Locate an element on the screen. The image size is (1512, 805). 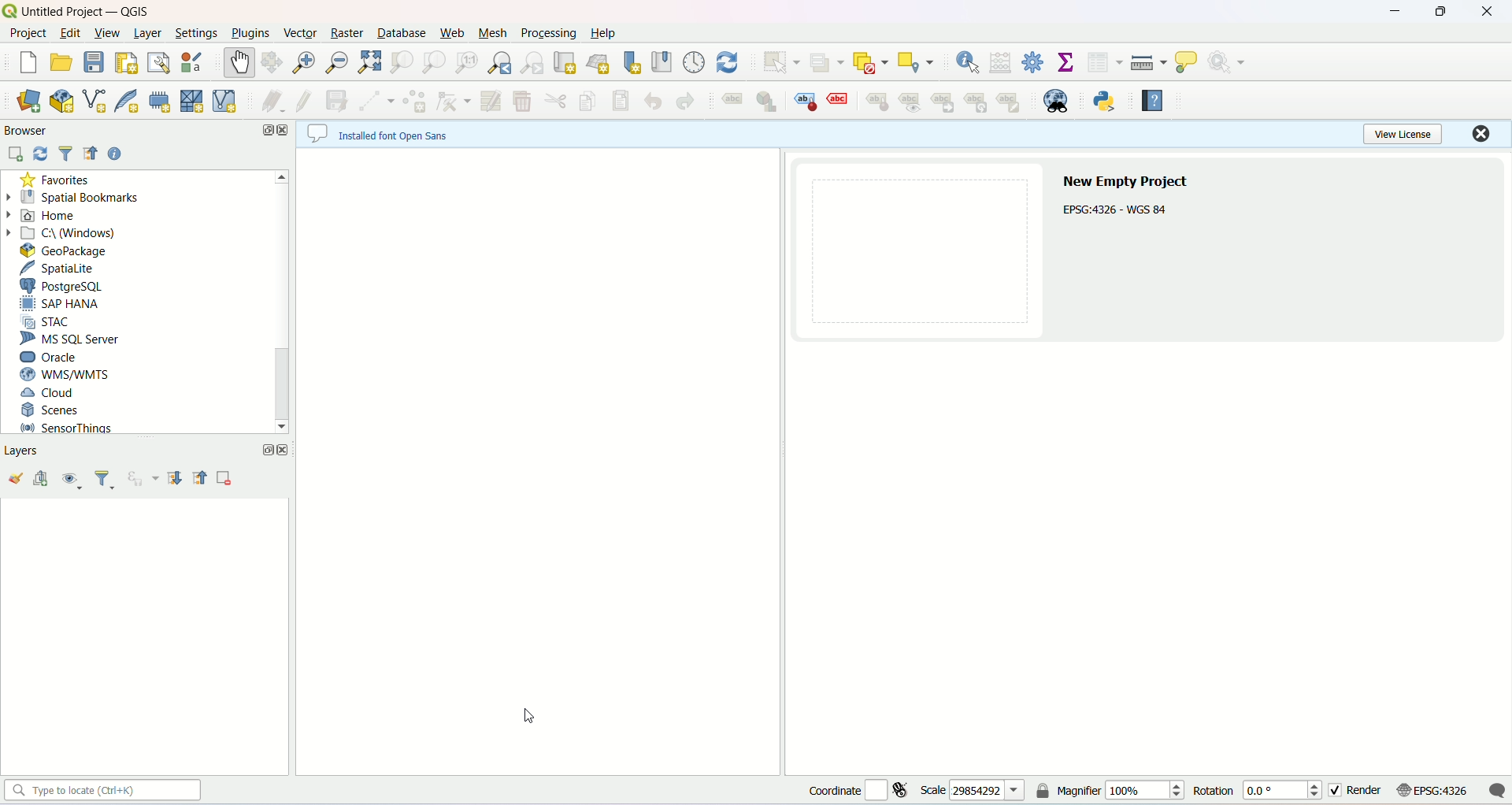
metasearch is located at coordinates (1056, 101).